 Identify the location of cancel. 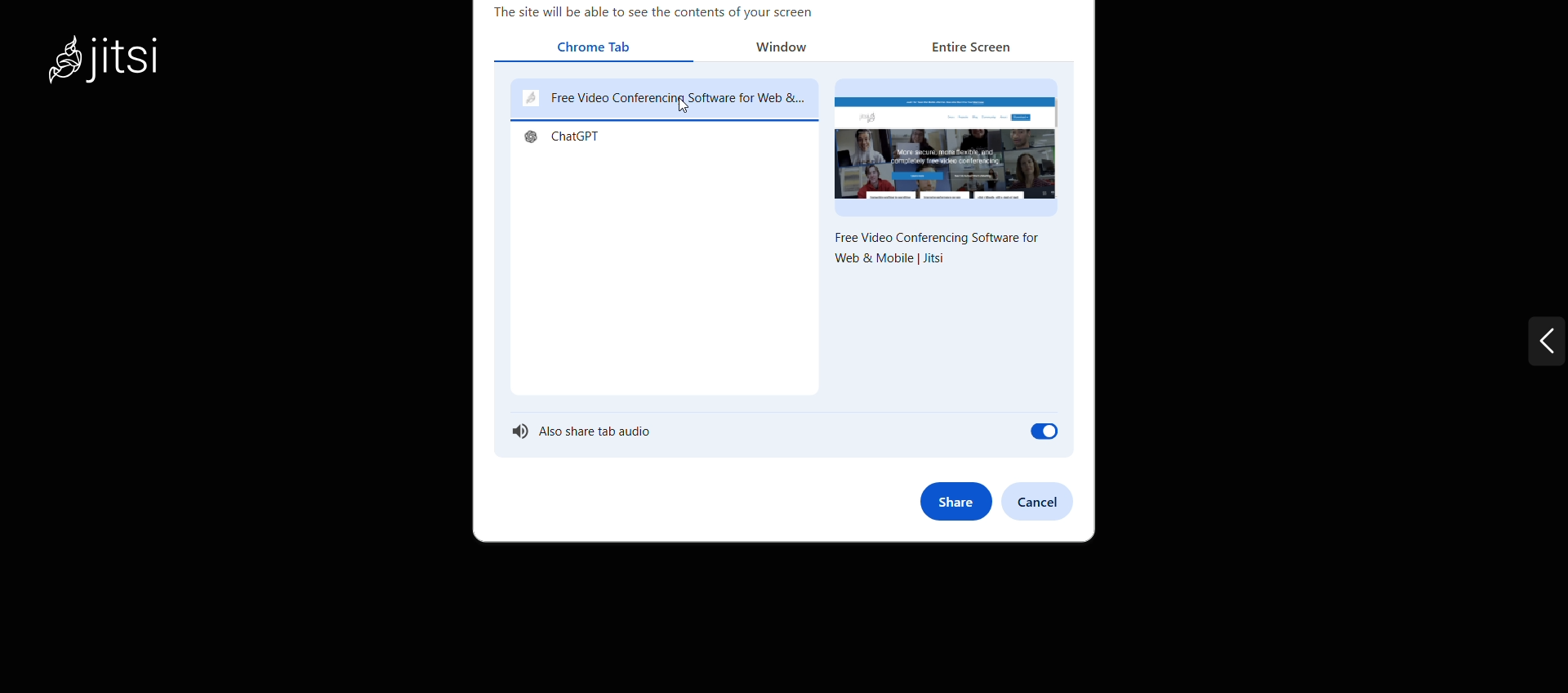
(1043, 498).